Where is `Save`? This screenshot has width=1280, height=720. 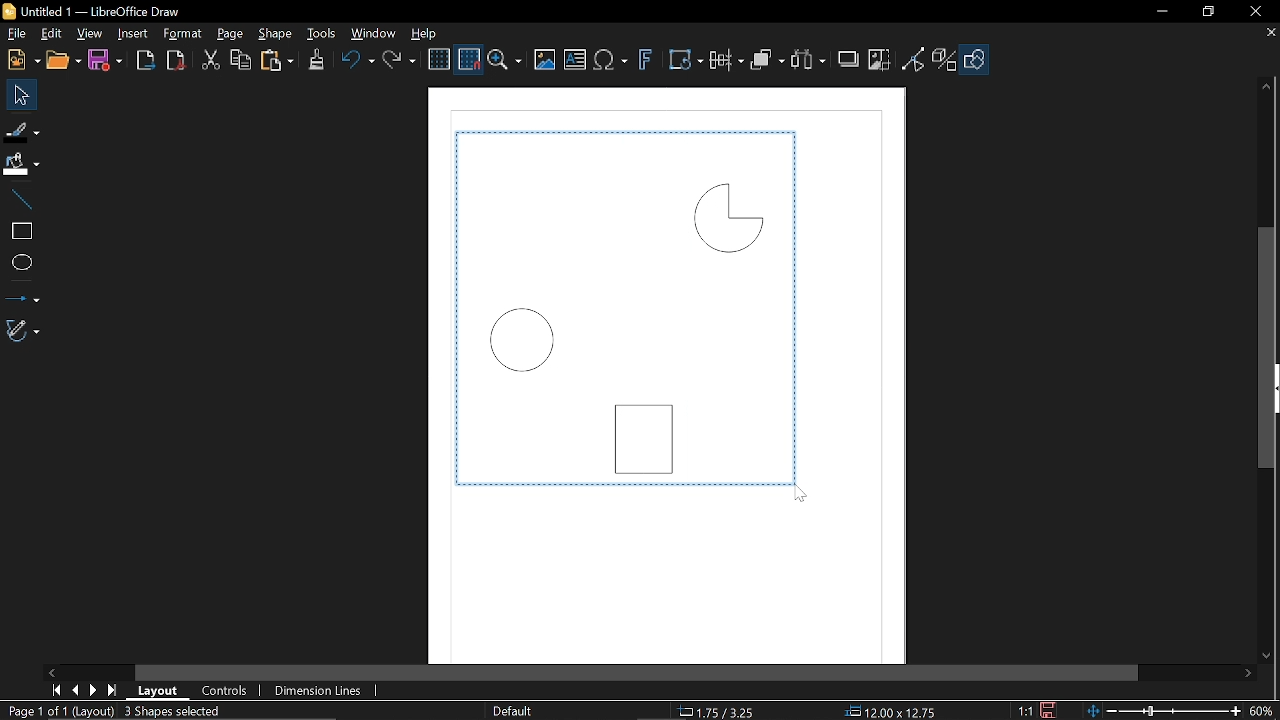
Save is located at coordinates (104, 61).